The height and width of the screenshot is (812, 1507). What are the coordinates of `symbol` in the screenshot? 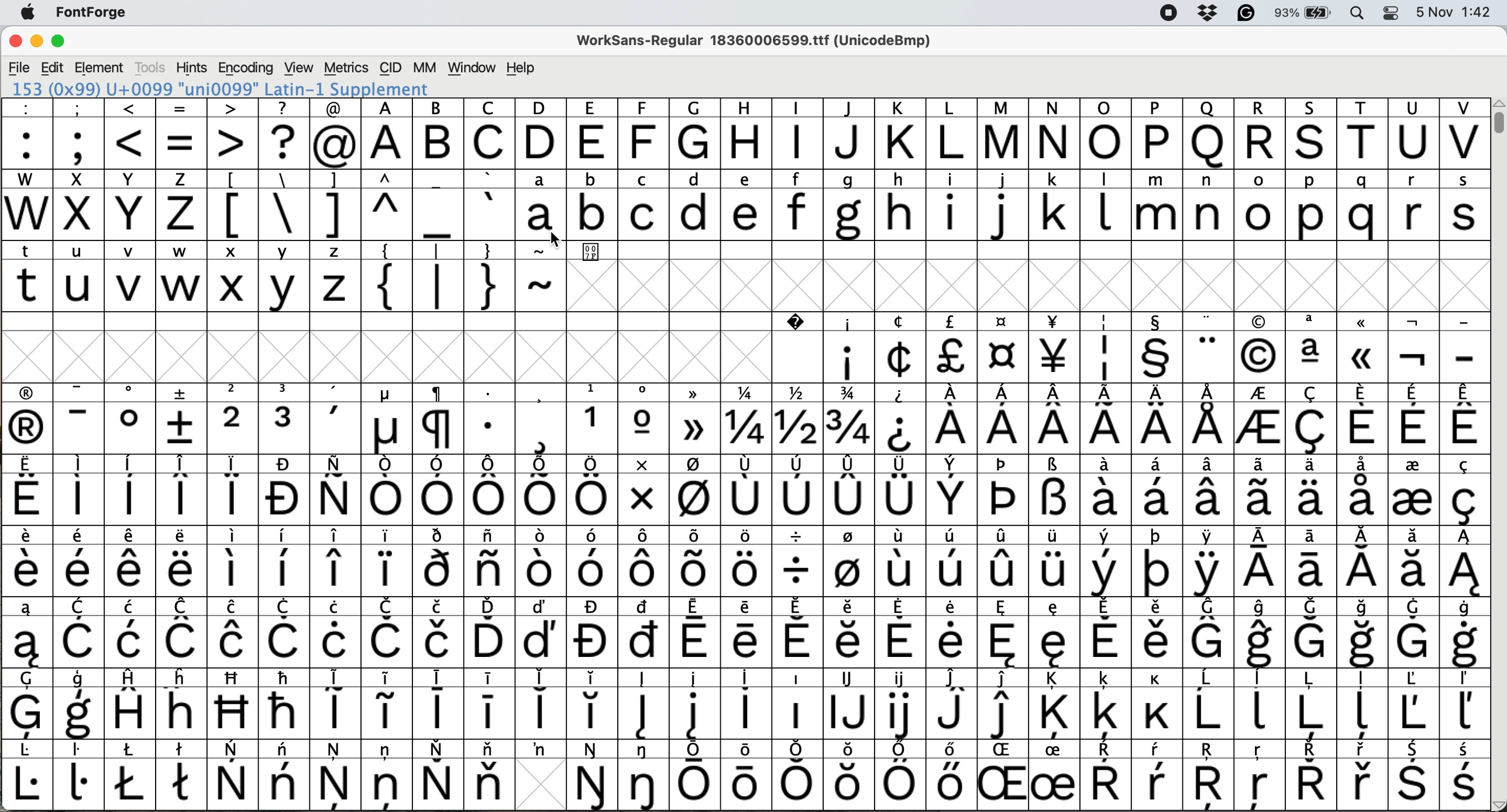 It's located at (82, 634).